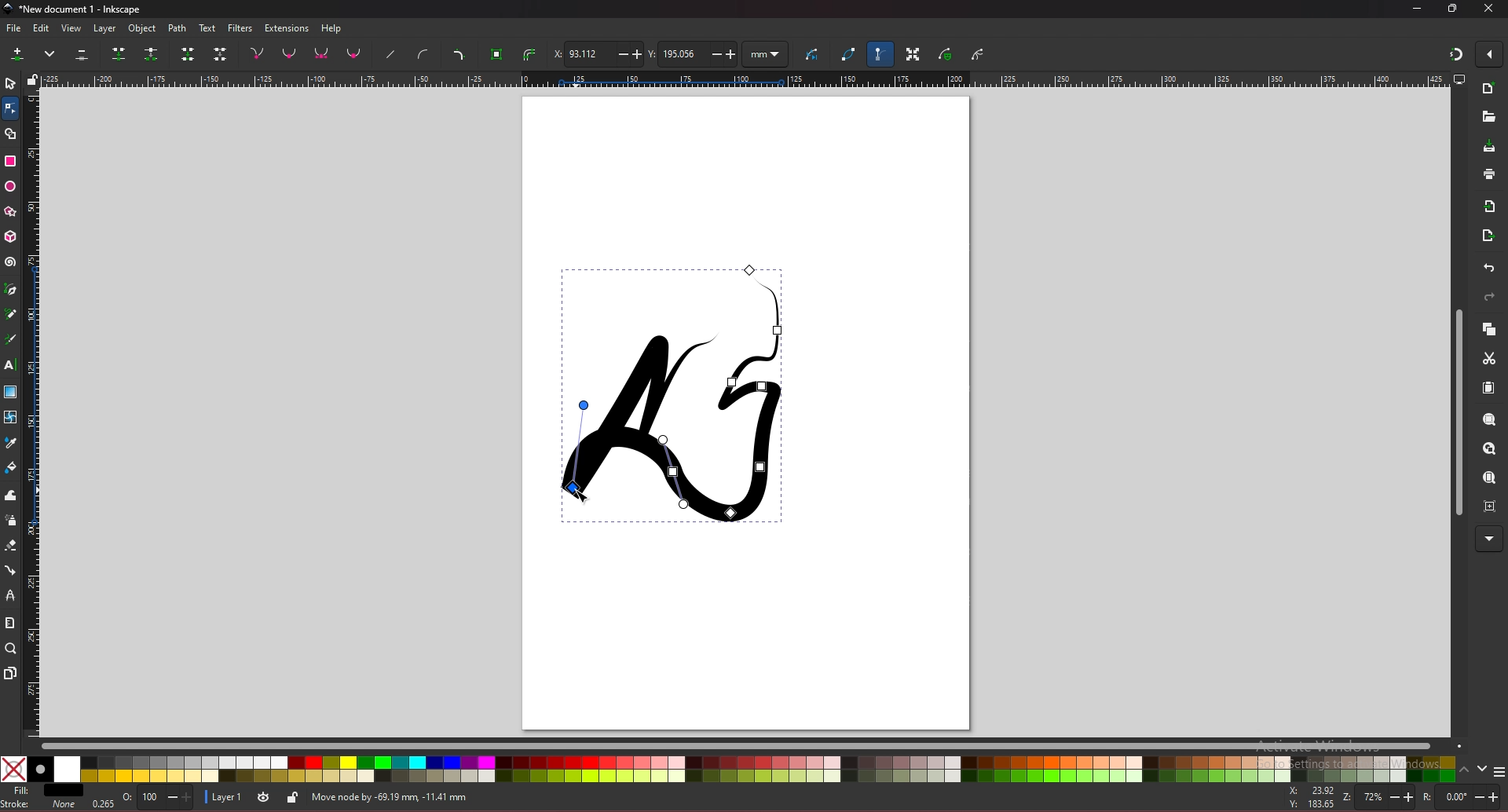 This screenshot has width=1508, height=812. I want to click on paste, so click(1488, 388).